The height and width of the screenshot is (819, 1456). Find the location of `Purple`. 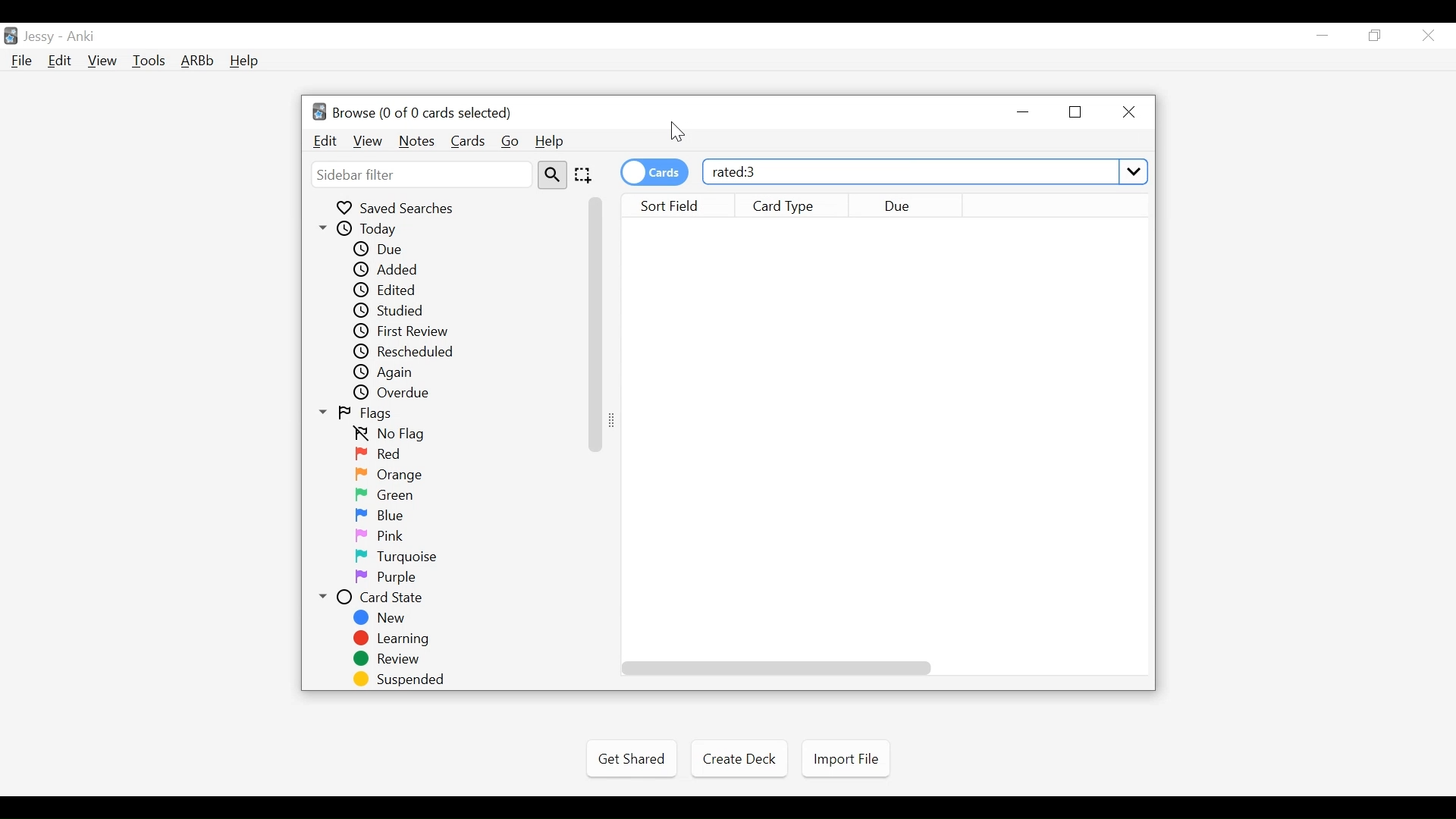

Purple is located at coordinates (389, 578).